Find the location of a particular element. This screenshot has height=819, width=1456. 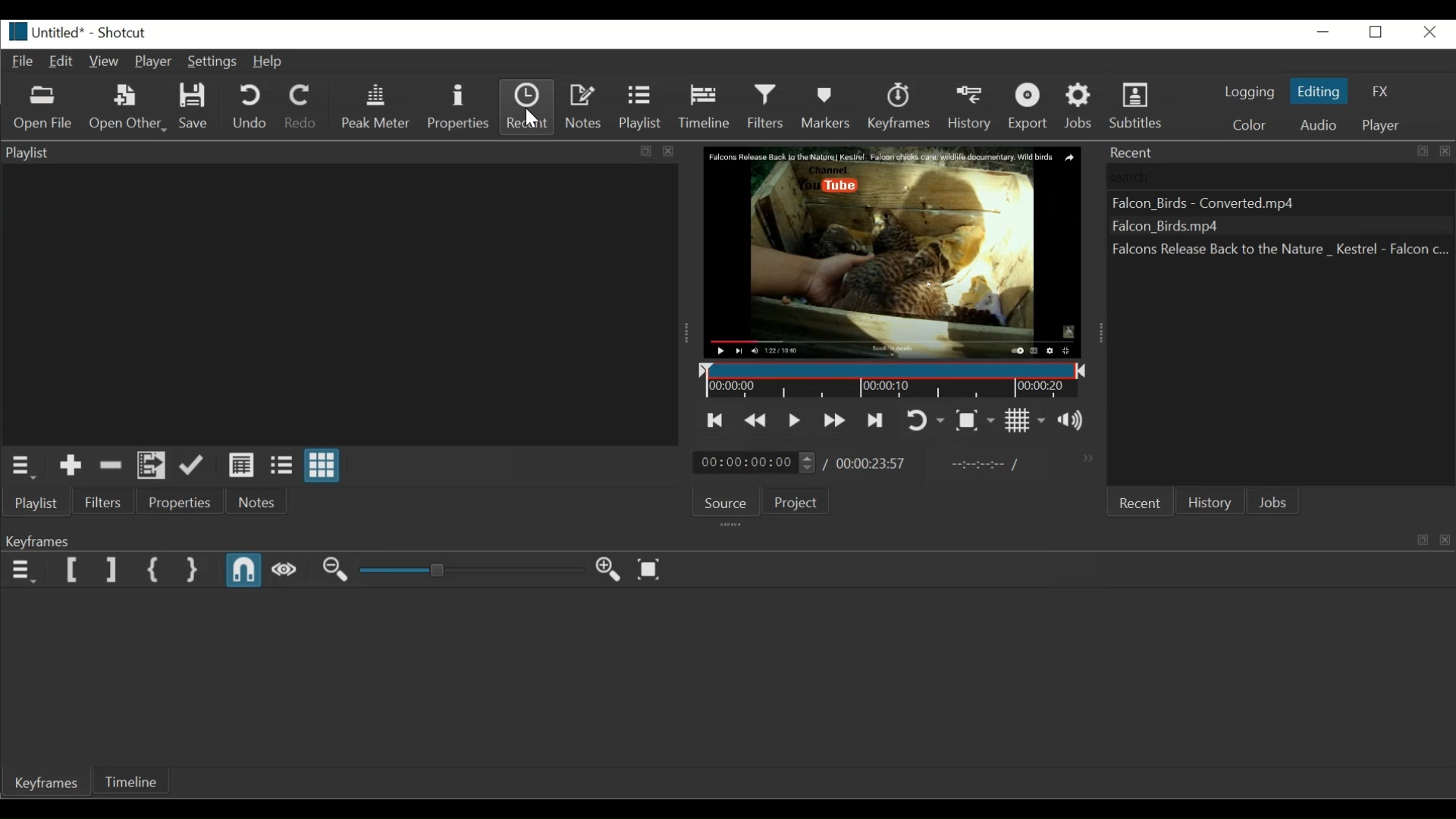

Set Second Simple keyfrae is located at coordinates (193, 572).